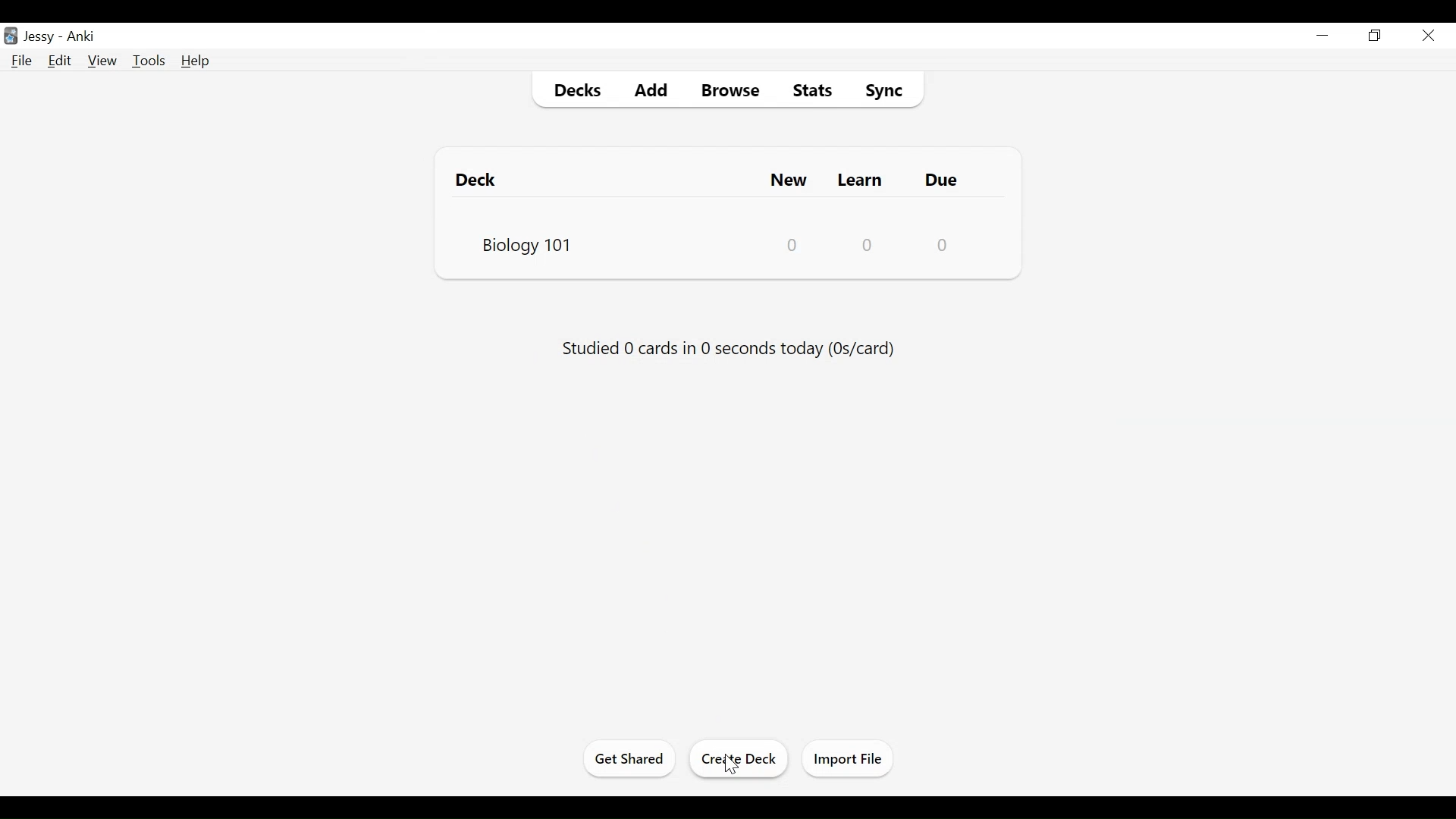  What do you see at coordinates (573, 89) in the screenshot?
I see `Decks` at bounding box center [573, 89].